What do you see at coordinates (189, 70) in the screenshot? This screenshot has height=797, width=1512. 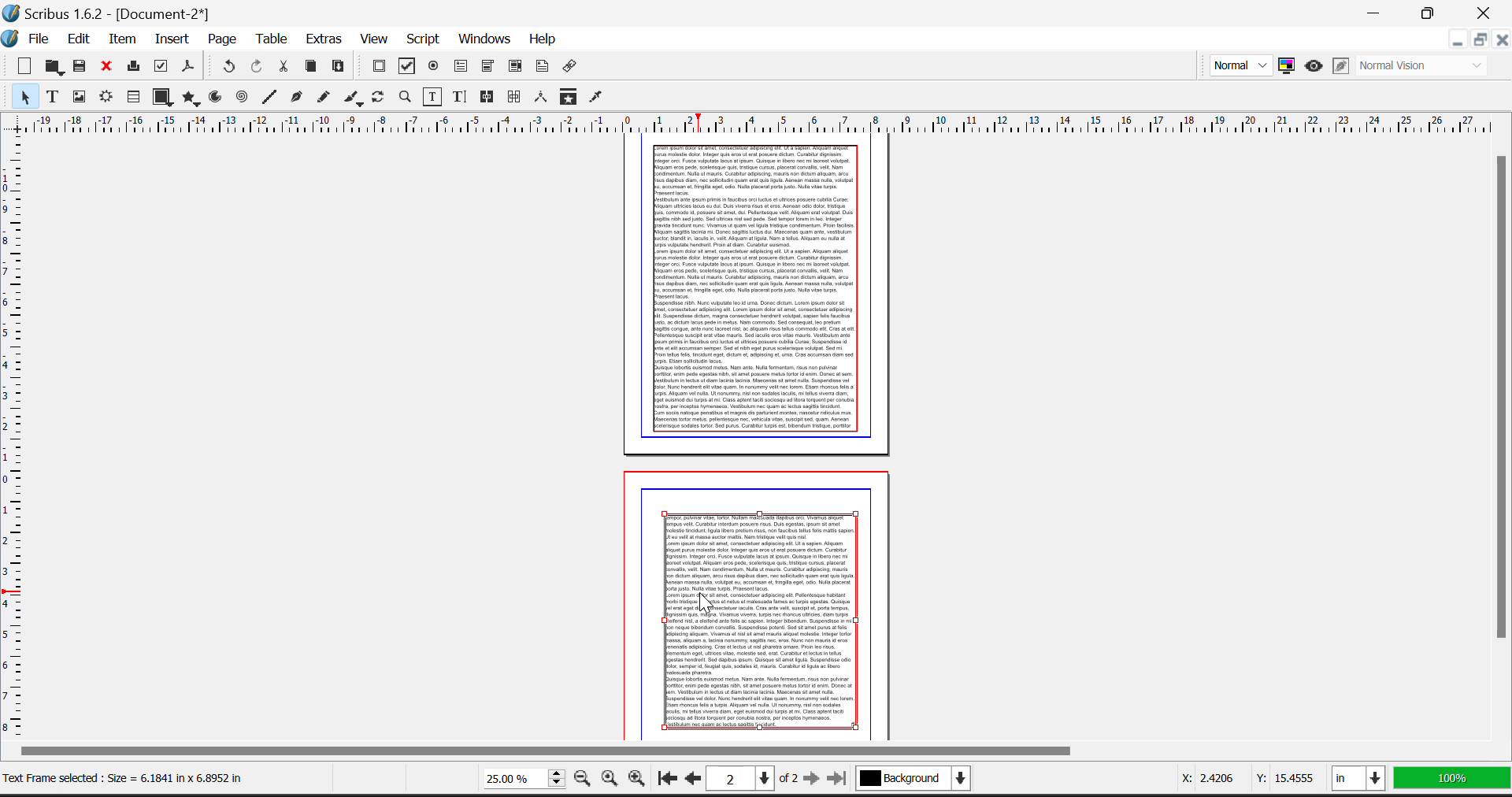 I see `Export as PDF` at bounding box center [189, 70].